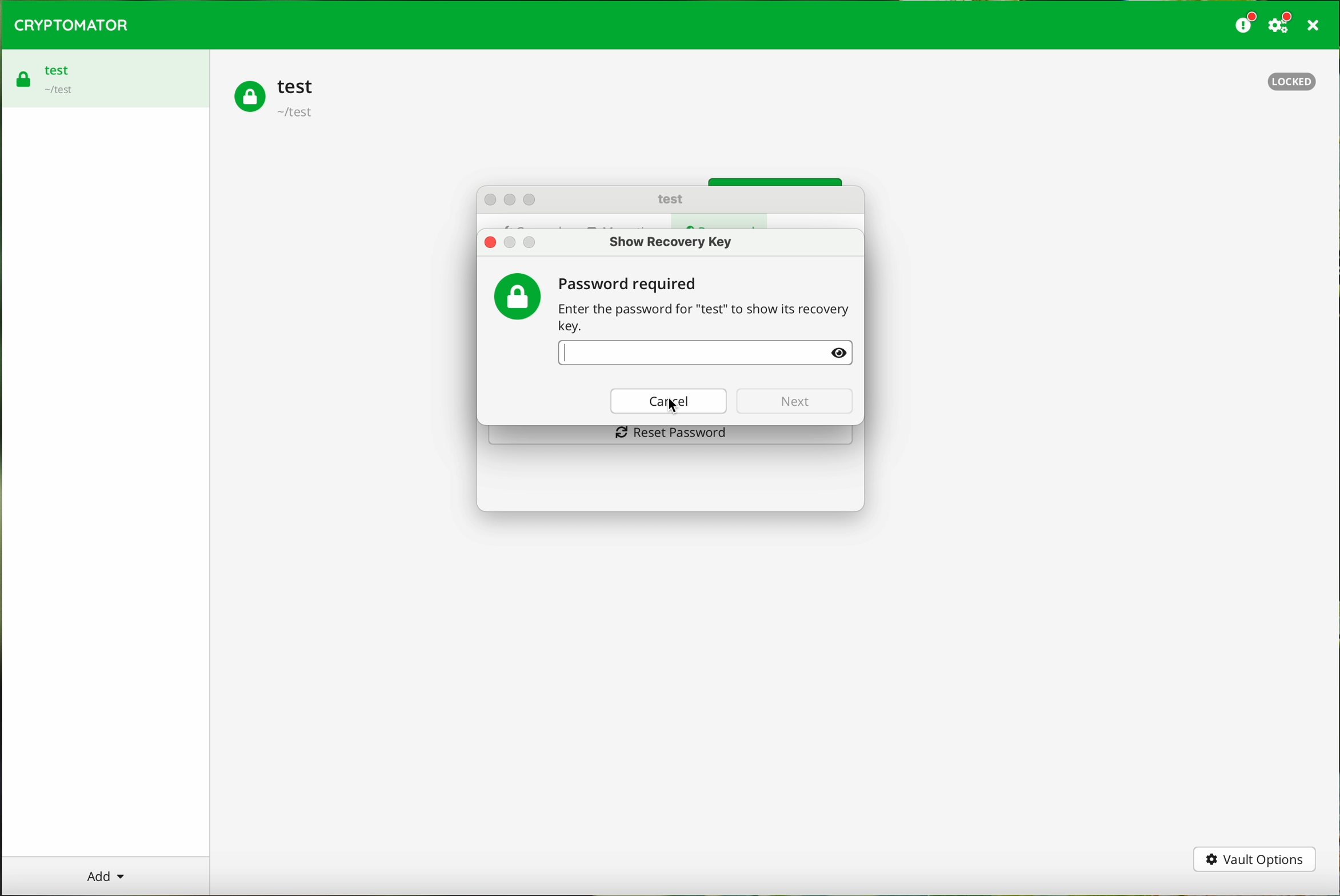  I want to click on action buttons, so click(513, 199).